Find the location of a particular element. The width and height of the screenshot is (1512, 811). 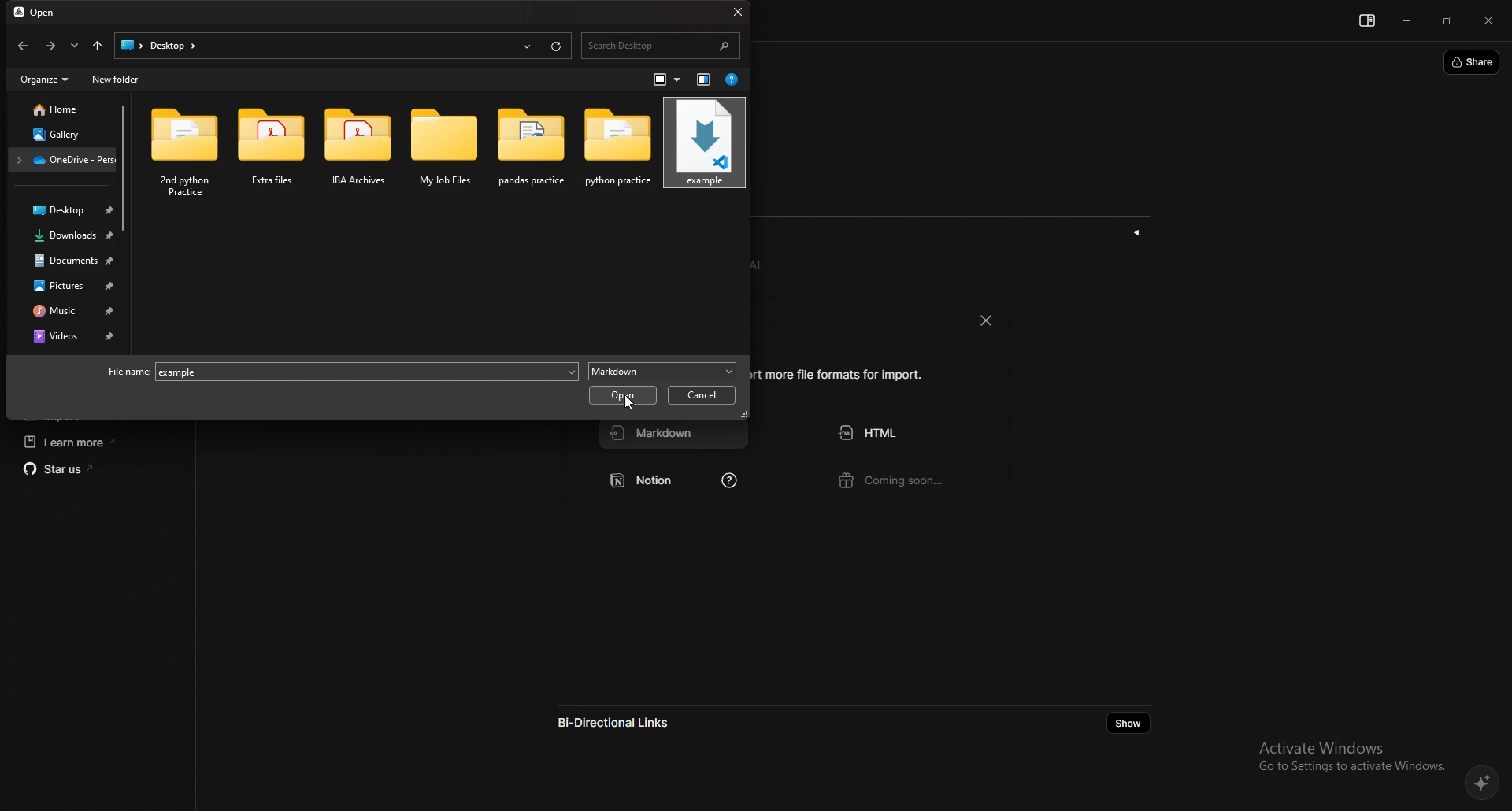

example is located at coordinates (367, 372).